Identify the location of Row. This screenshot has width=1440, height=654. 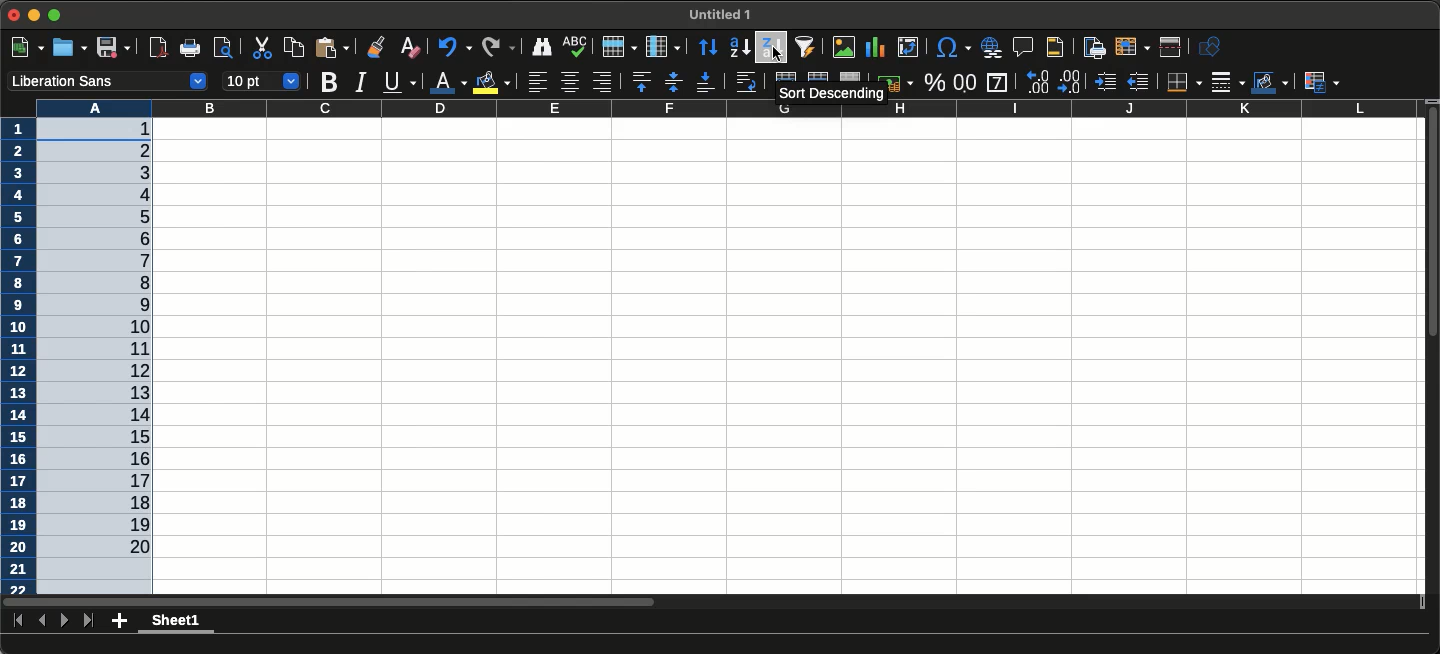
(616, 47).